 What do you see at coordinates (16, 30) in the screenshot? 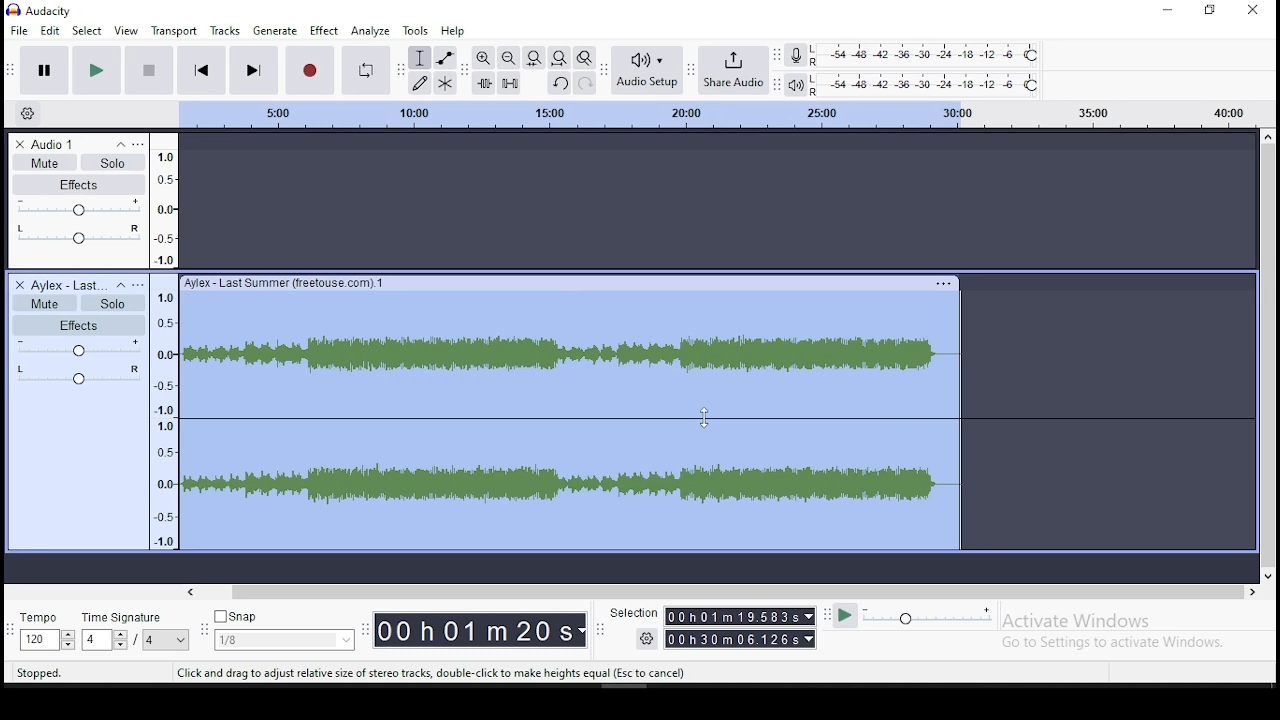
I see `file` at bounding box center [16, 30].